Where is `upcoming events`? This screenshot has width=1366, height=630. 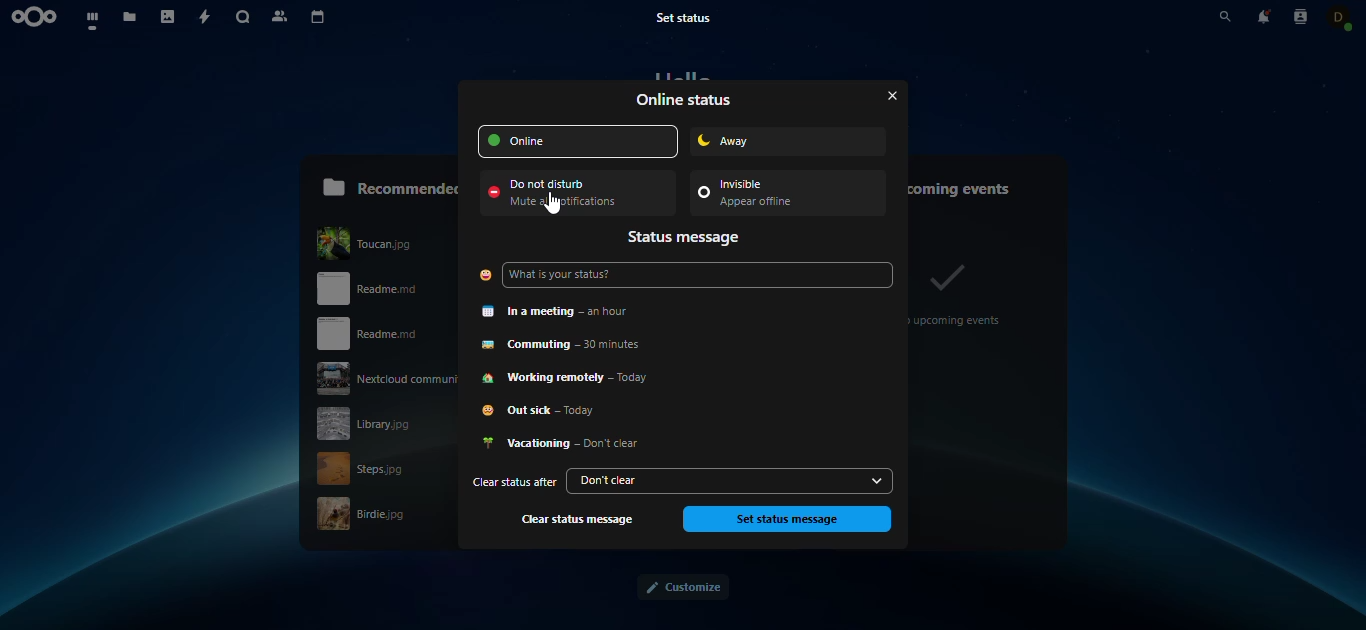 upcoming events is located at coordinates (972, 184).